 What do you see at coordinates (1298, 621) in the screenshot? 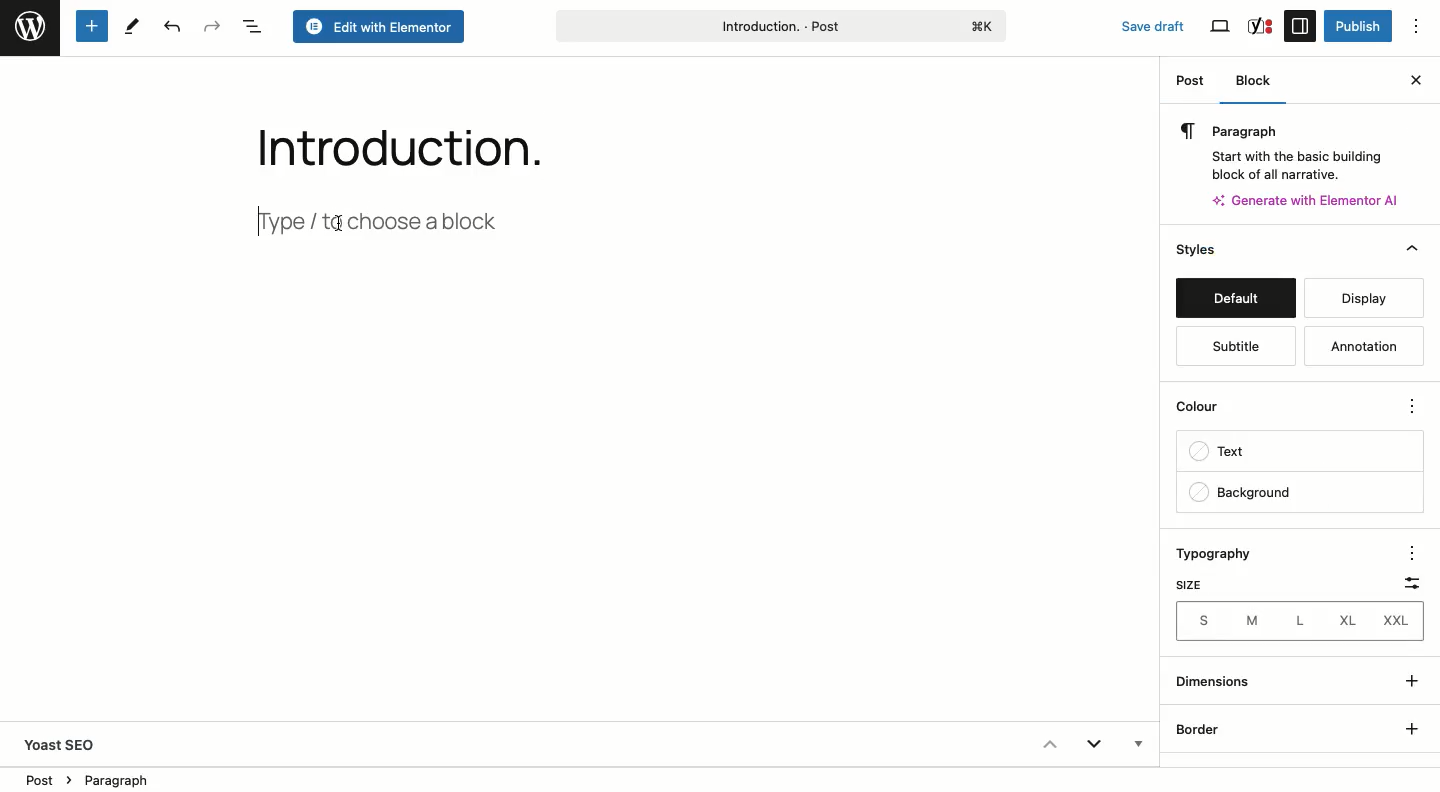
I see `Sizes` at bounding box center [1298, 621].